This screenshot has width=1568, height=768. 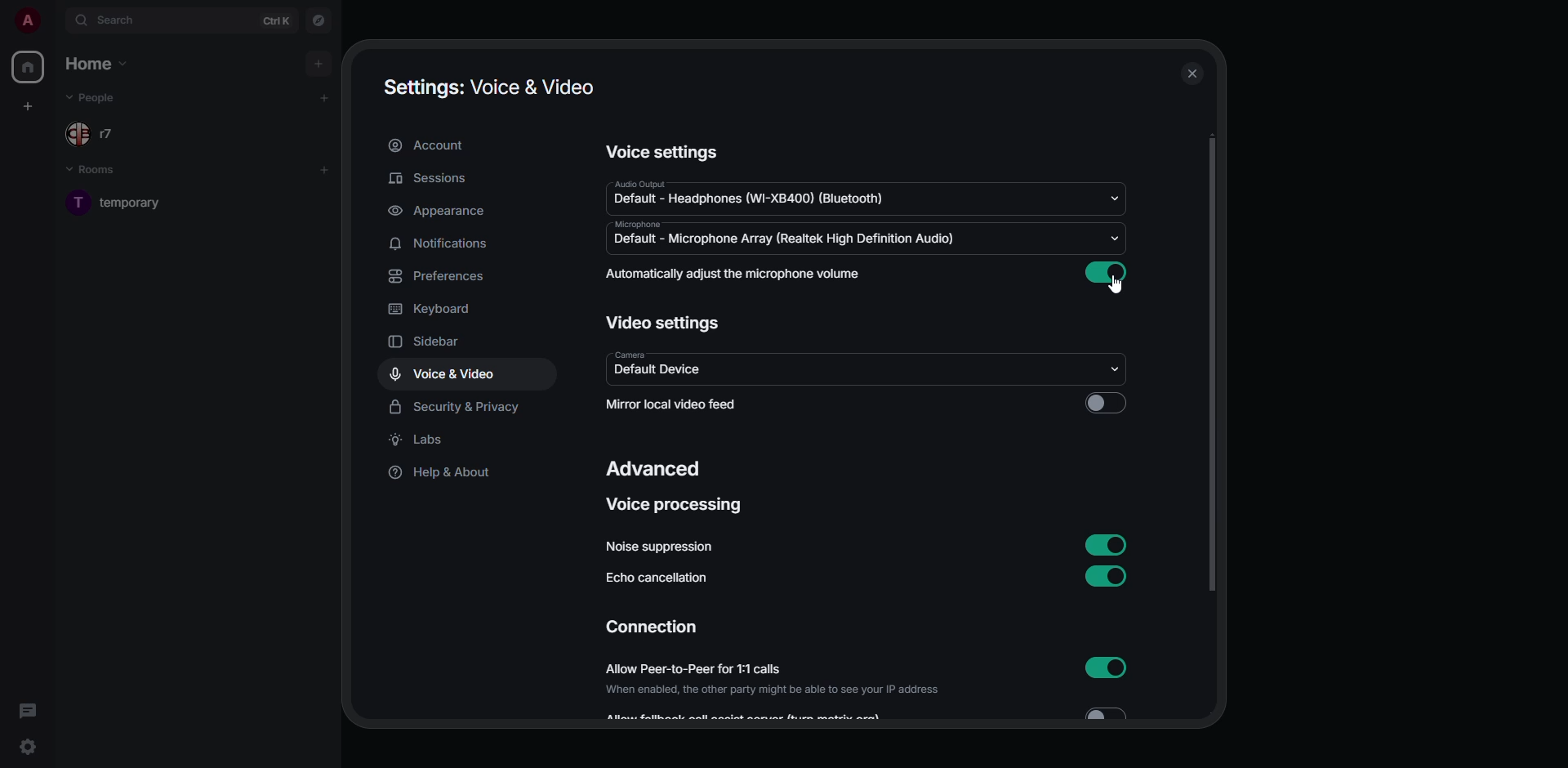 I want to click on threads, so click(x=29, y=711).